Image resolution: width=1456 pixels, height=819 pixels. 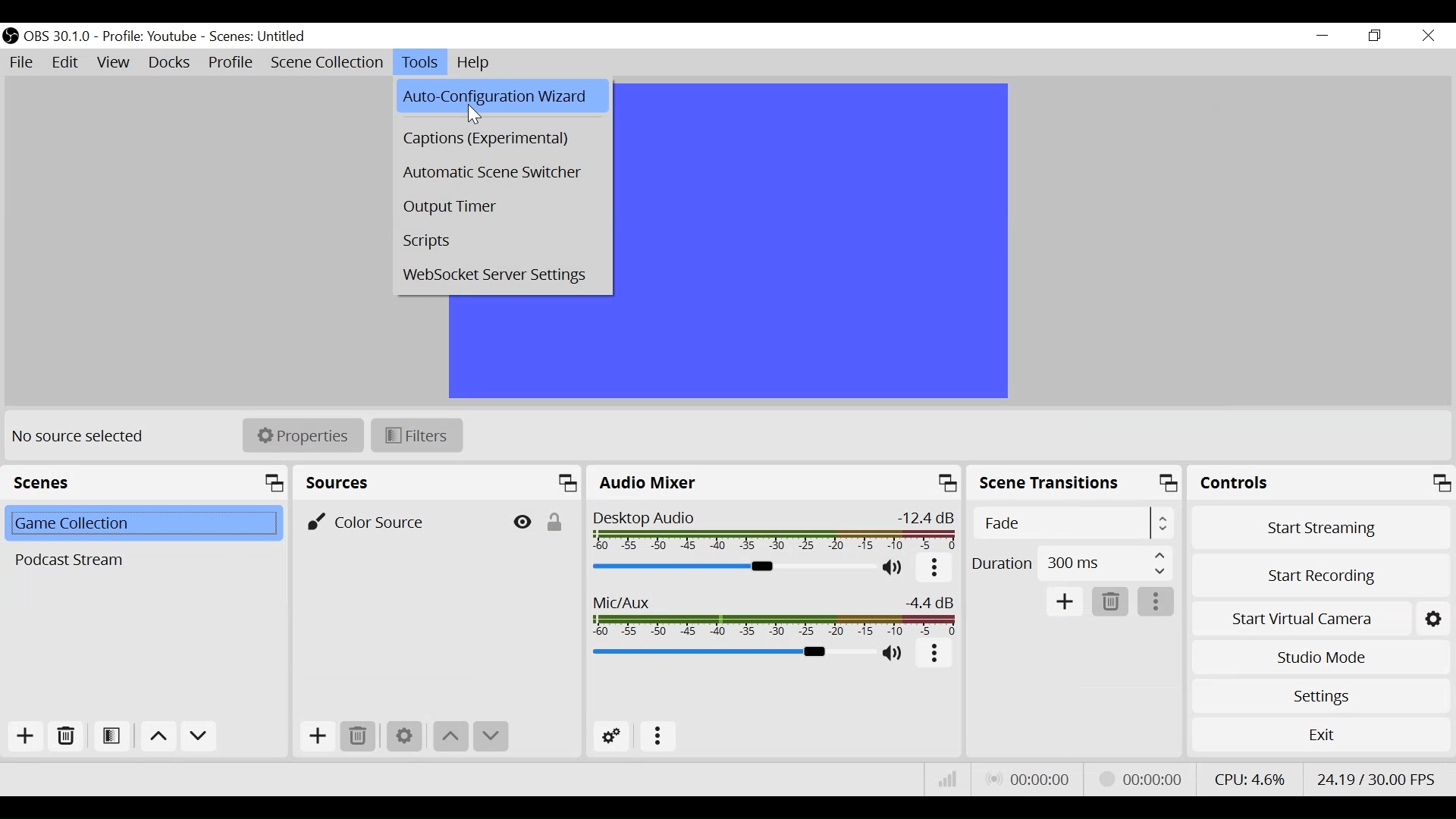 What do you see at coordinates (404, 738) in the screenshot?
I see `Settings` at bounding box center [404, 738].